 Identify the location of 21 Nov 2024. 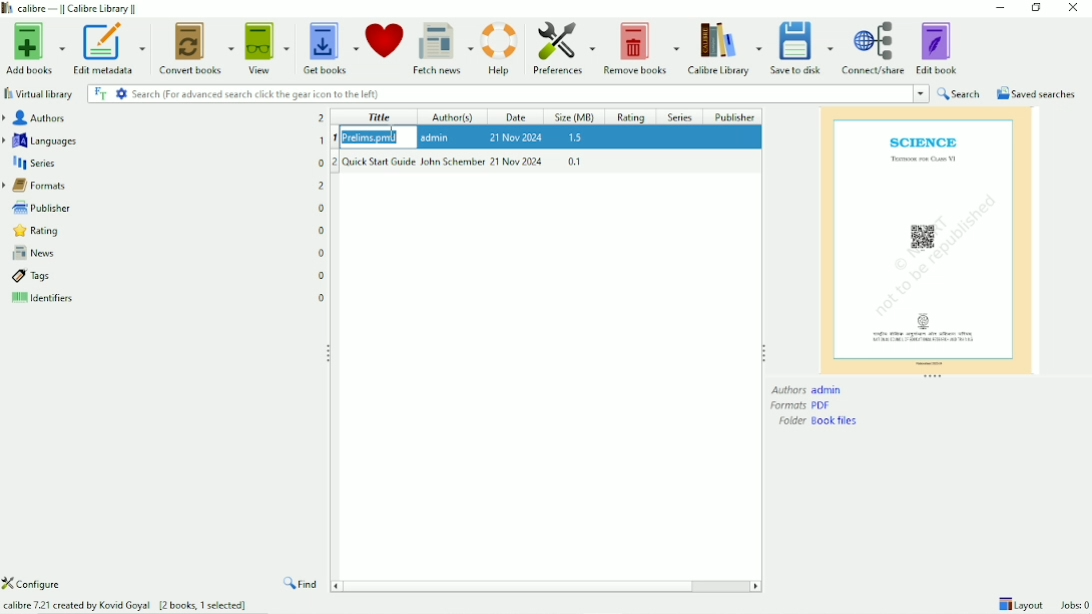
(518, 161).